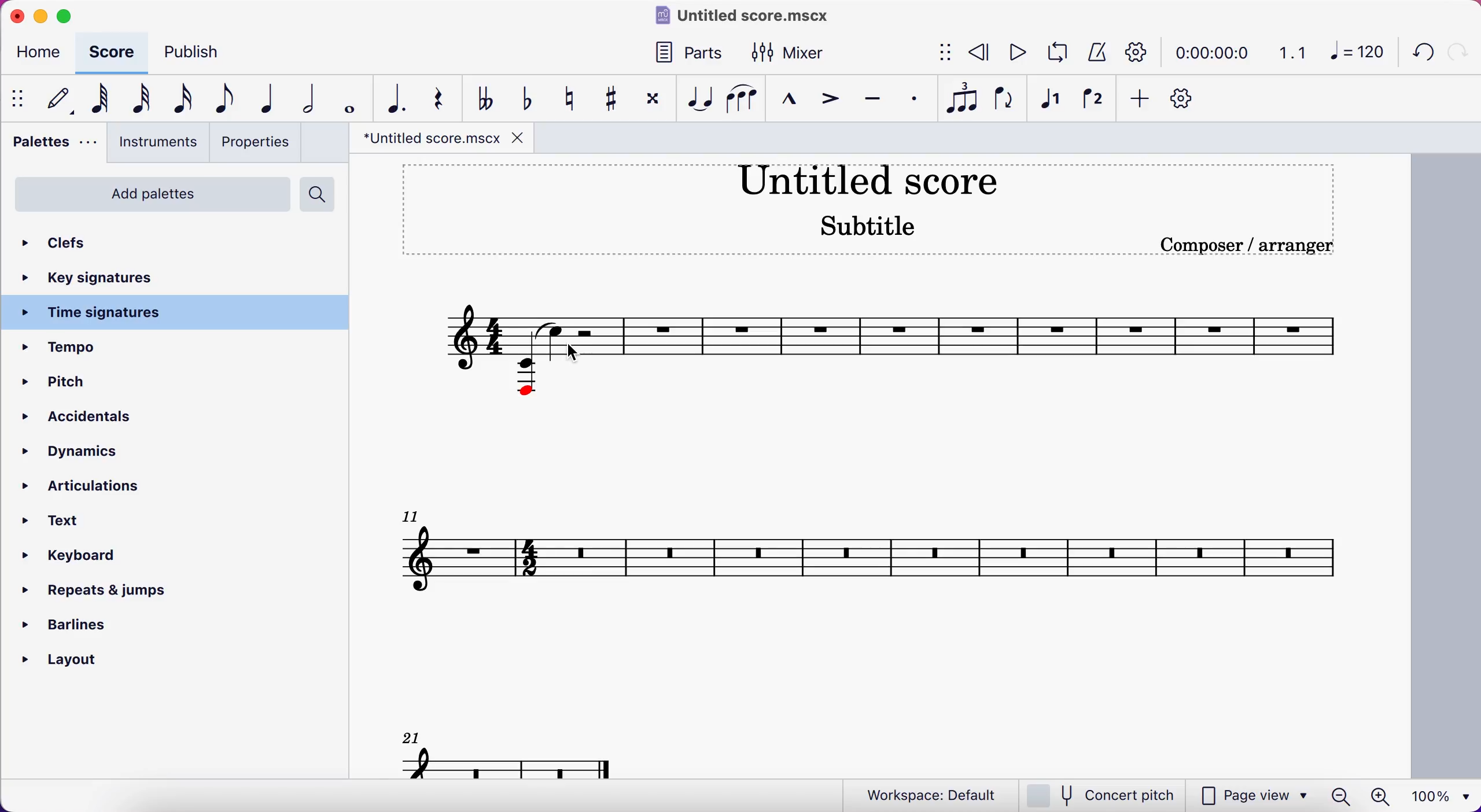 This screenshot has height=812, width=1481. What do you see at coordinates (61, 102) in the screenshot?
I see `default` at bounding box center [61, 102].